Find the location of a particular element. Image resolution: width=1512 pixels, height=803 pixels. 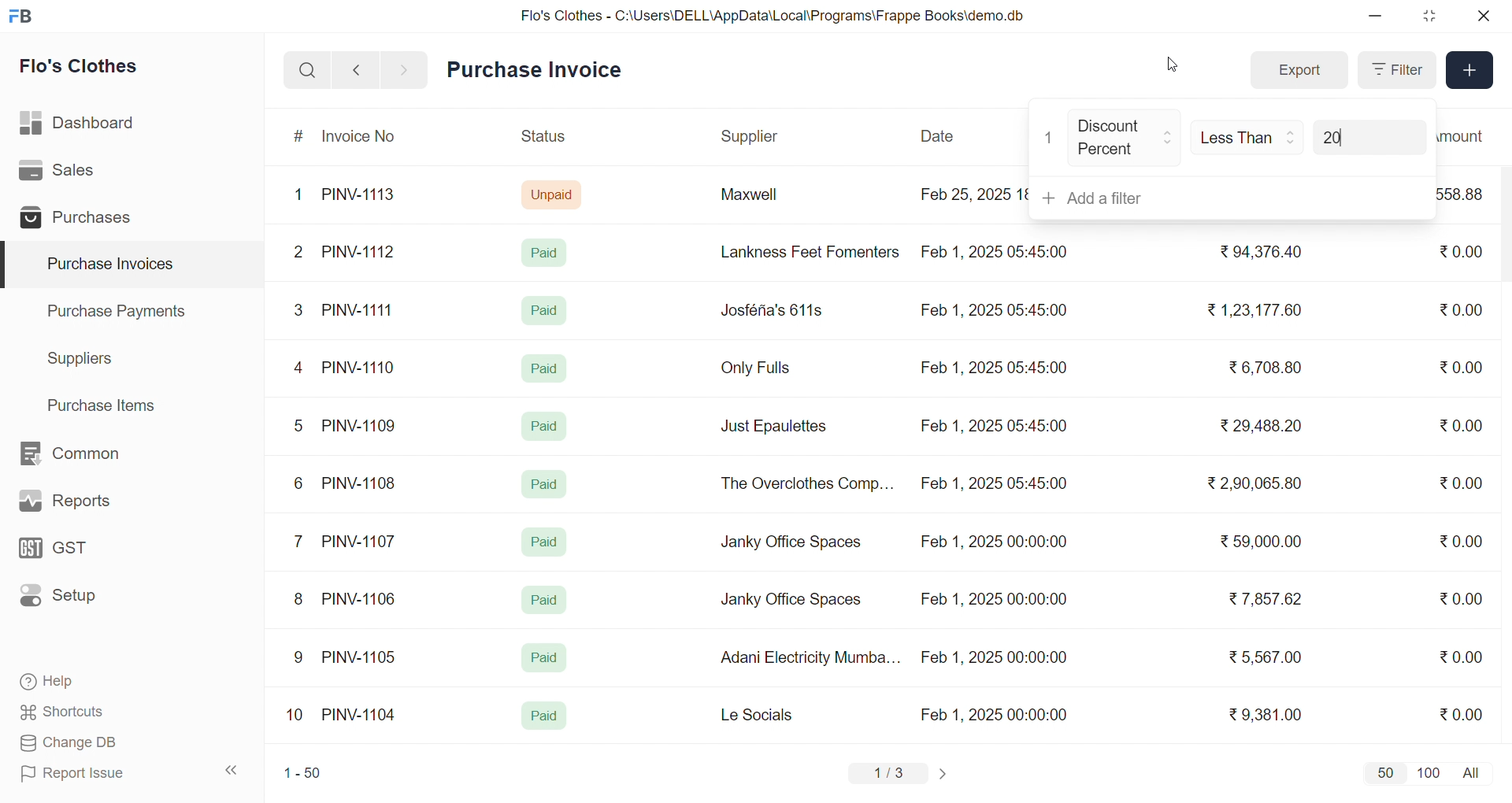

Report Issue is located at coordinates (98, 773).